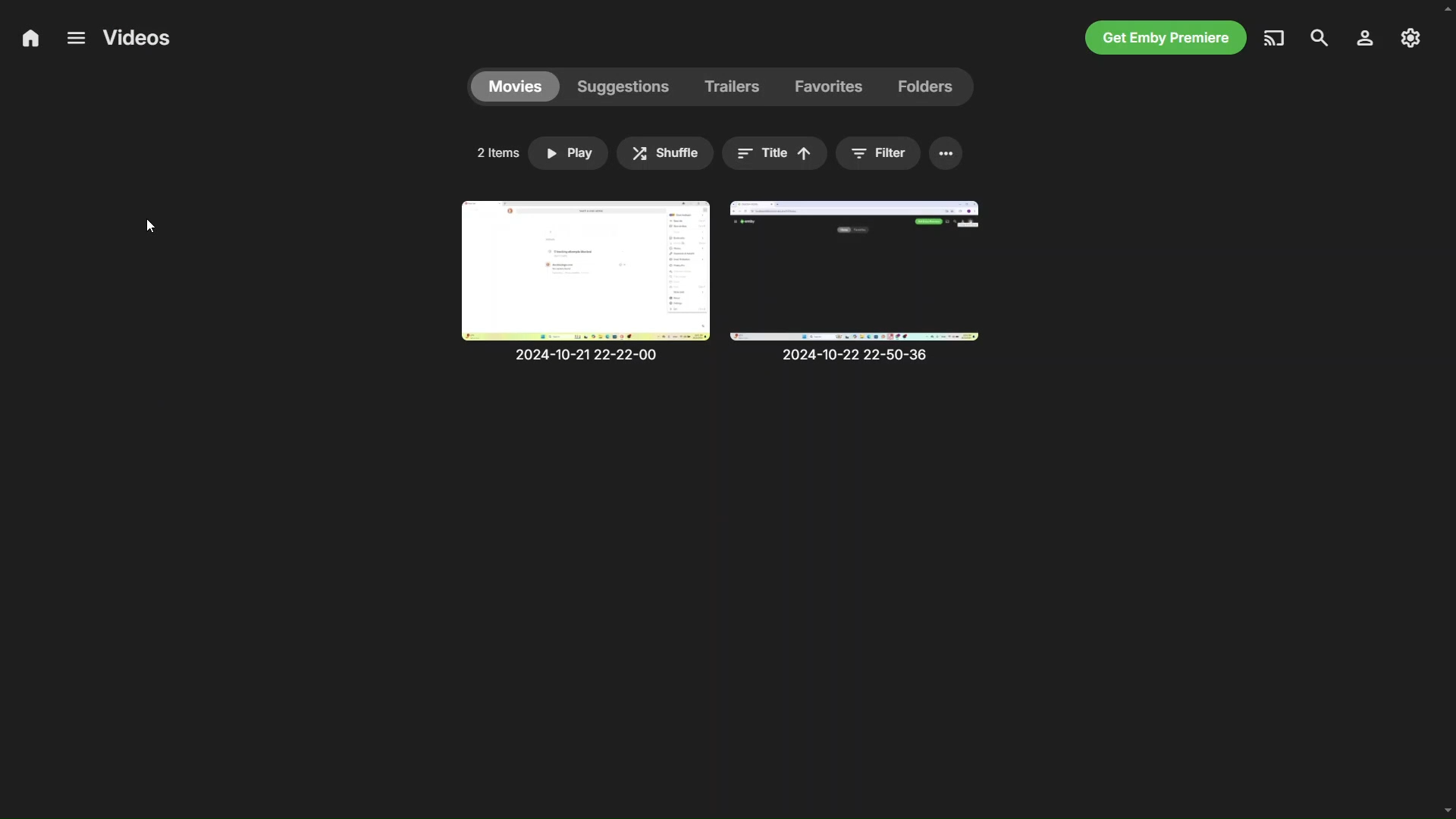 The height and width of the screenshot is (819, 1456). Describe the element at coordinates (877, 152) in the screenshot. I see `filter` at that location.